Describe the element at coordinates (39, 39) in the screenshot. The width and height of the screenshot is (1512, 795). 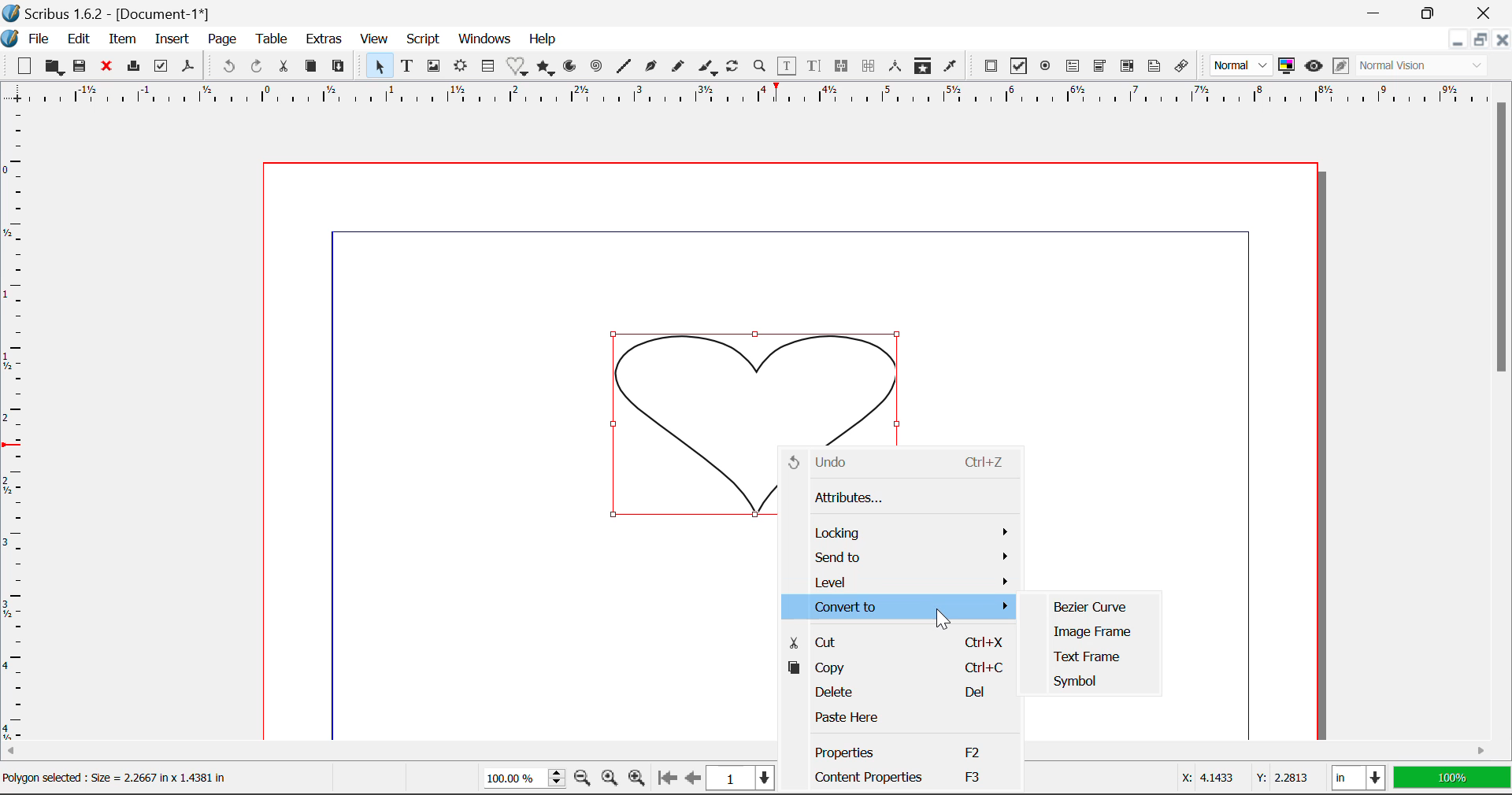
I see `File` at that location.